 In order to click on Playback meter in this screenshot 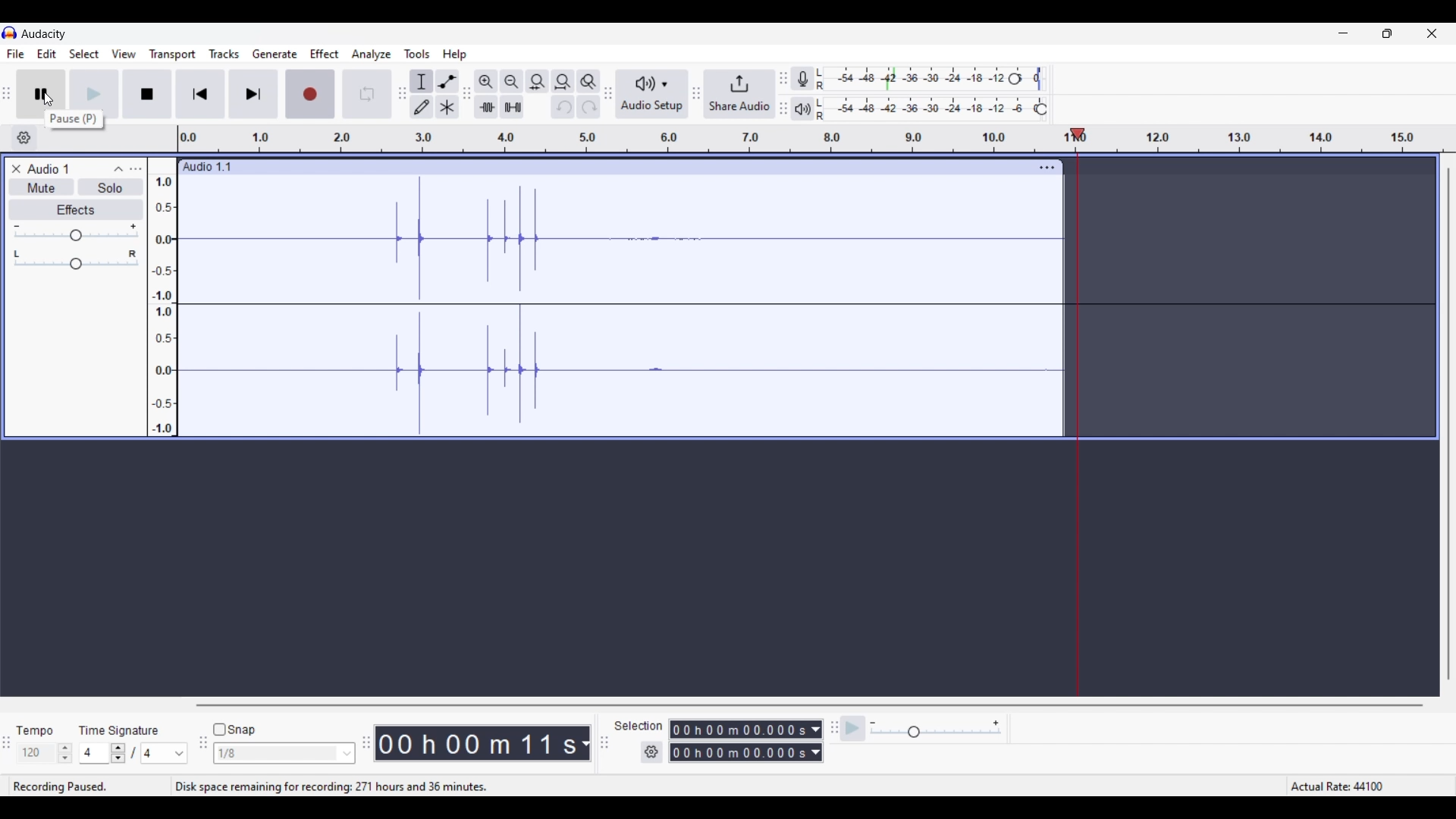, I will do `click(803, 109)`.